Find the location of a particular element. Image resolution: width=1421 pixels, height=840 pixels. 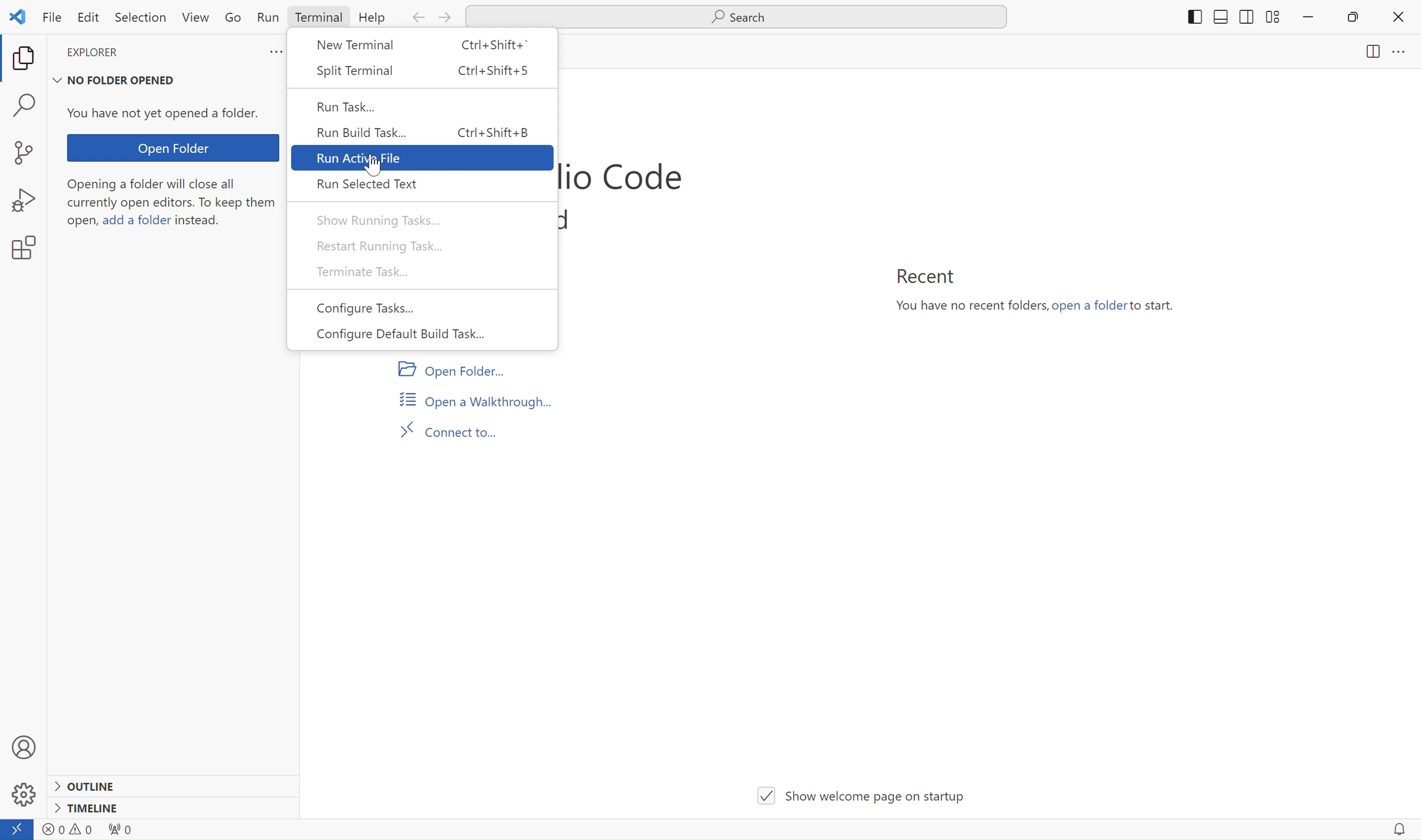

Connect to is located at coordinates (449, 428).